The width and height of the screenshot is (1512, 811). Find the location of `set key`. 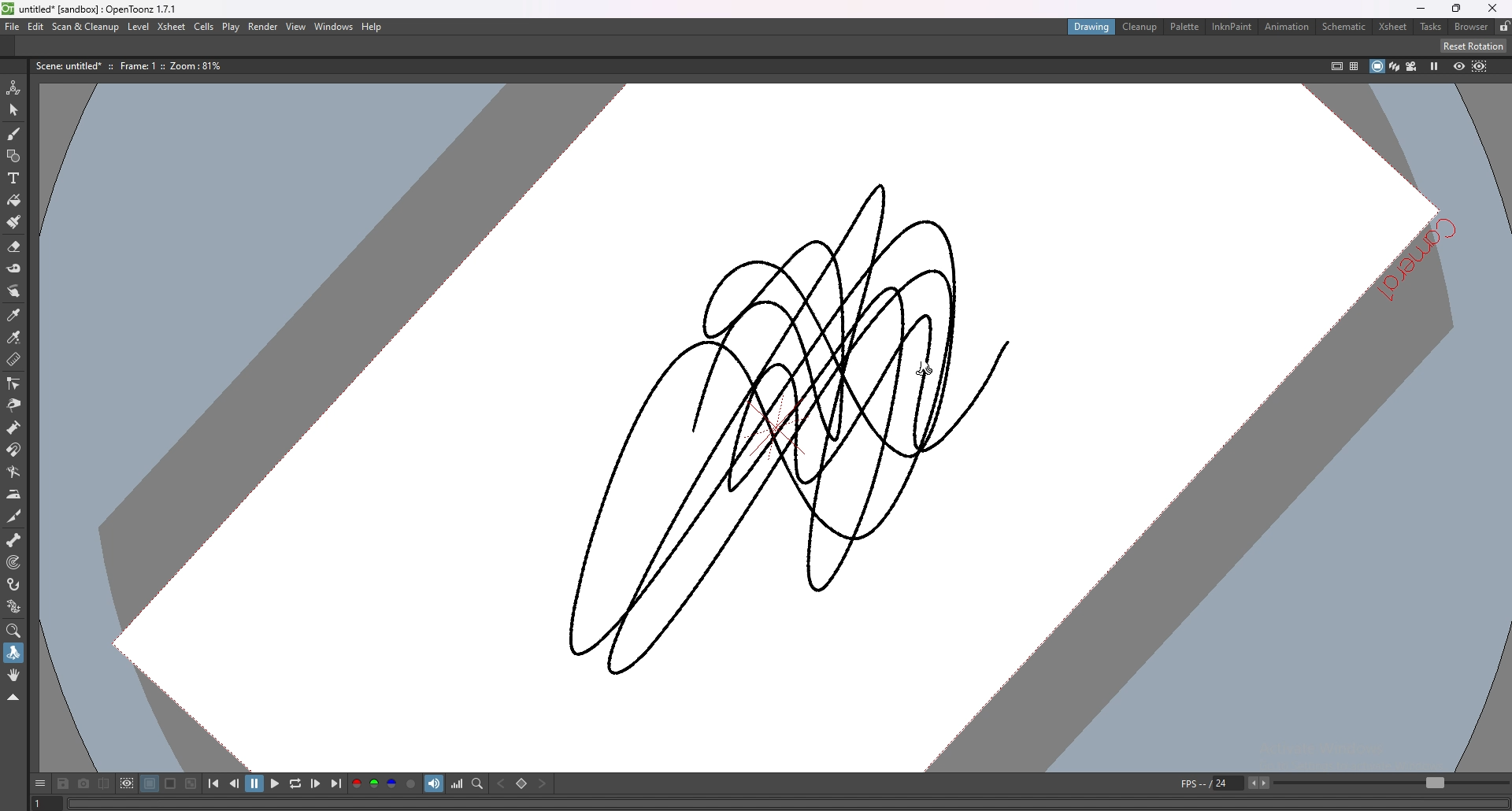

set key is located at coordinates (521, 783).